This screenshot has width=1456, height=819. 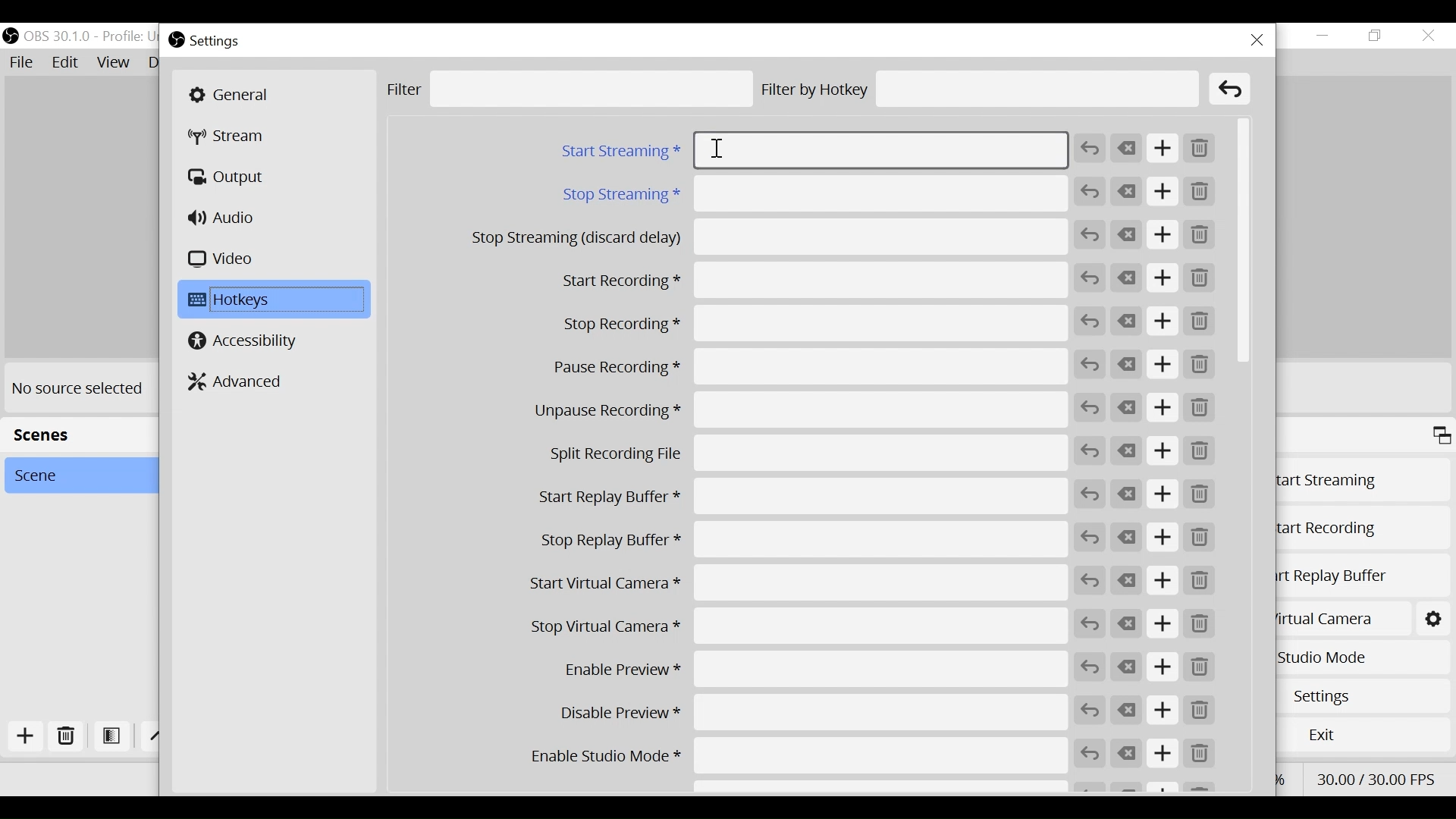 I want to click on Start Virtual Camera Settings, so click(x=1436, y=619).